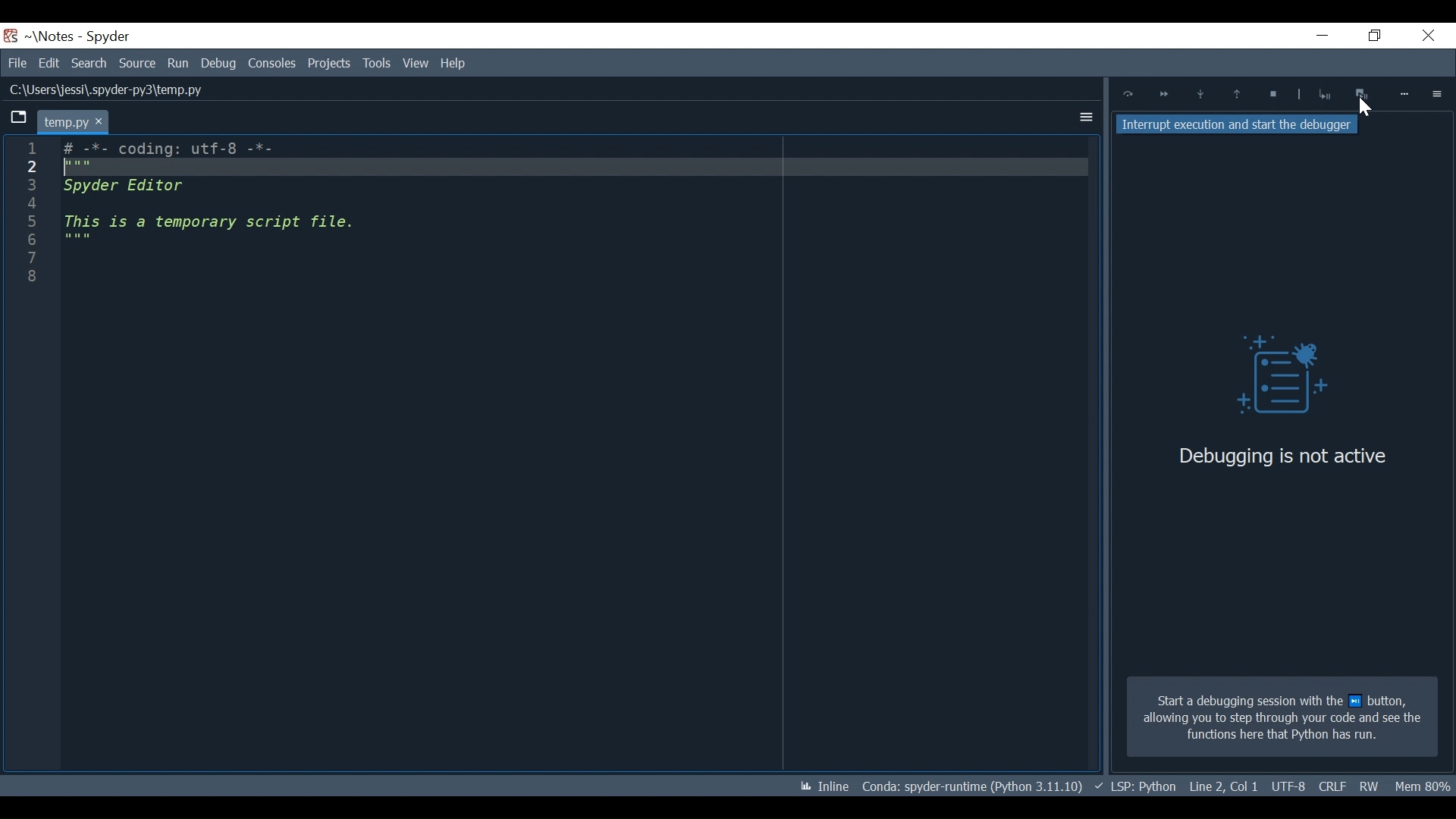 This screenshot has width=1456, height=819. What do you see at coordinates (1282, 456) in the screenshot?
I see `Debugging is not active` at bounding box center [1282, 456].